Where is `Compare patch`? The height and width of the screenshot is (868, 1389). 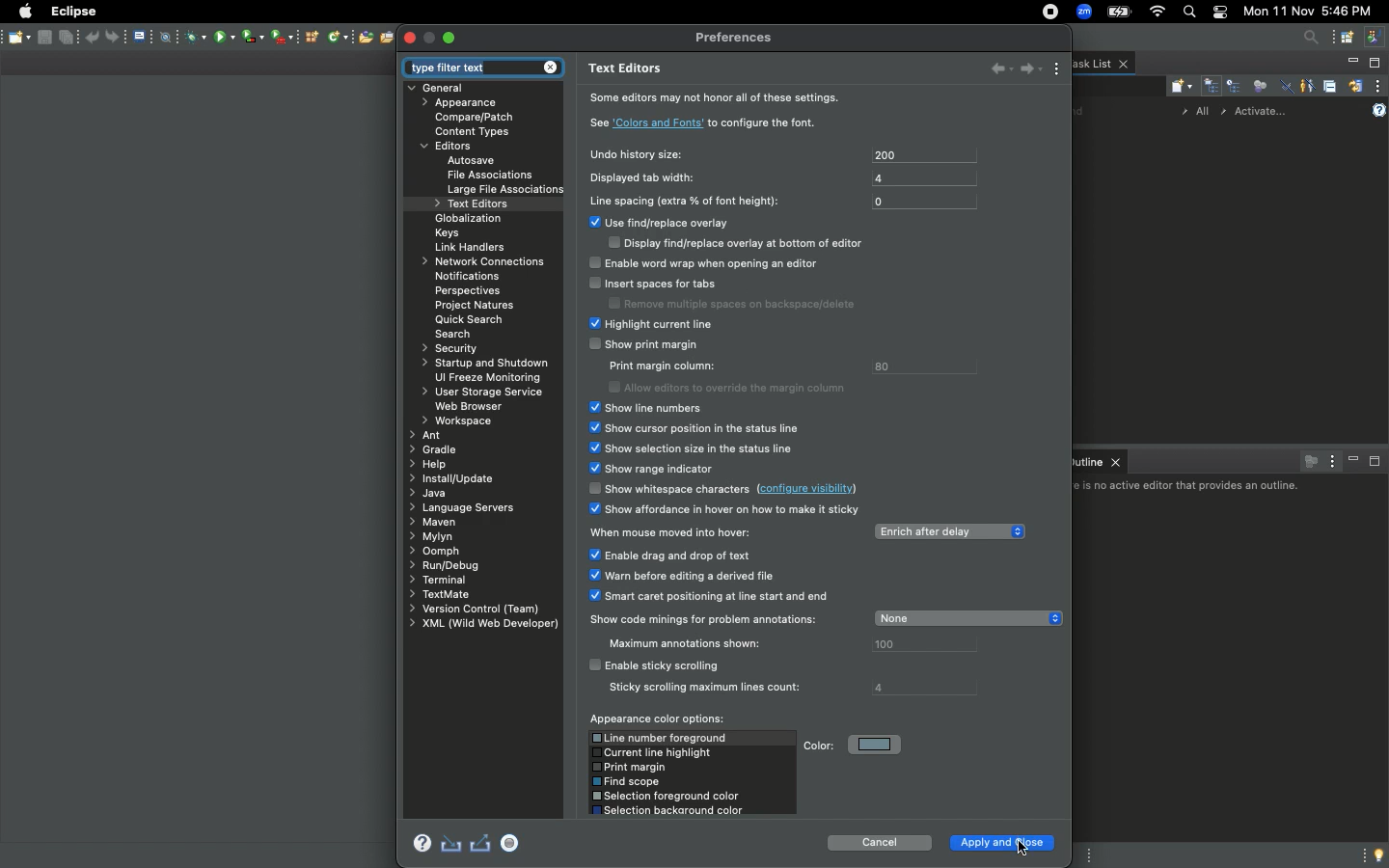
Compare patch is located at coordinates (480, 116).